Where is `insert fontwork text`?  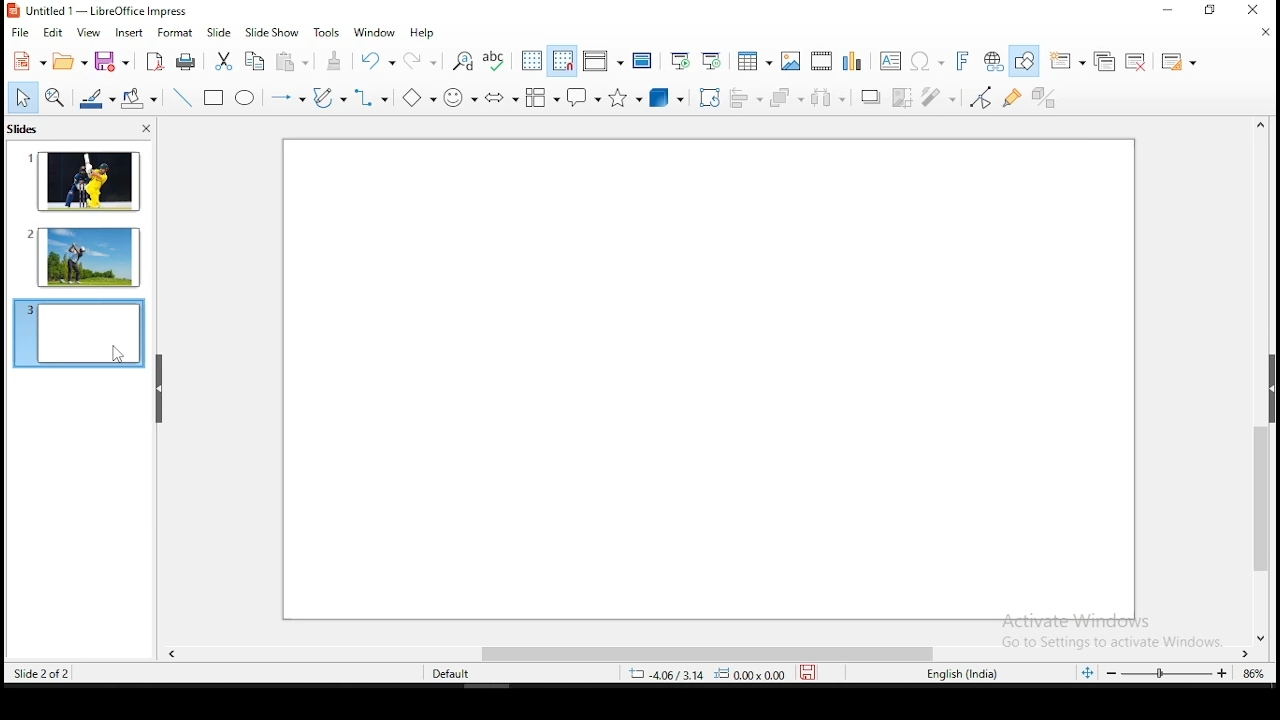 insert fontwork text is located at coordinates (961, 59).